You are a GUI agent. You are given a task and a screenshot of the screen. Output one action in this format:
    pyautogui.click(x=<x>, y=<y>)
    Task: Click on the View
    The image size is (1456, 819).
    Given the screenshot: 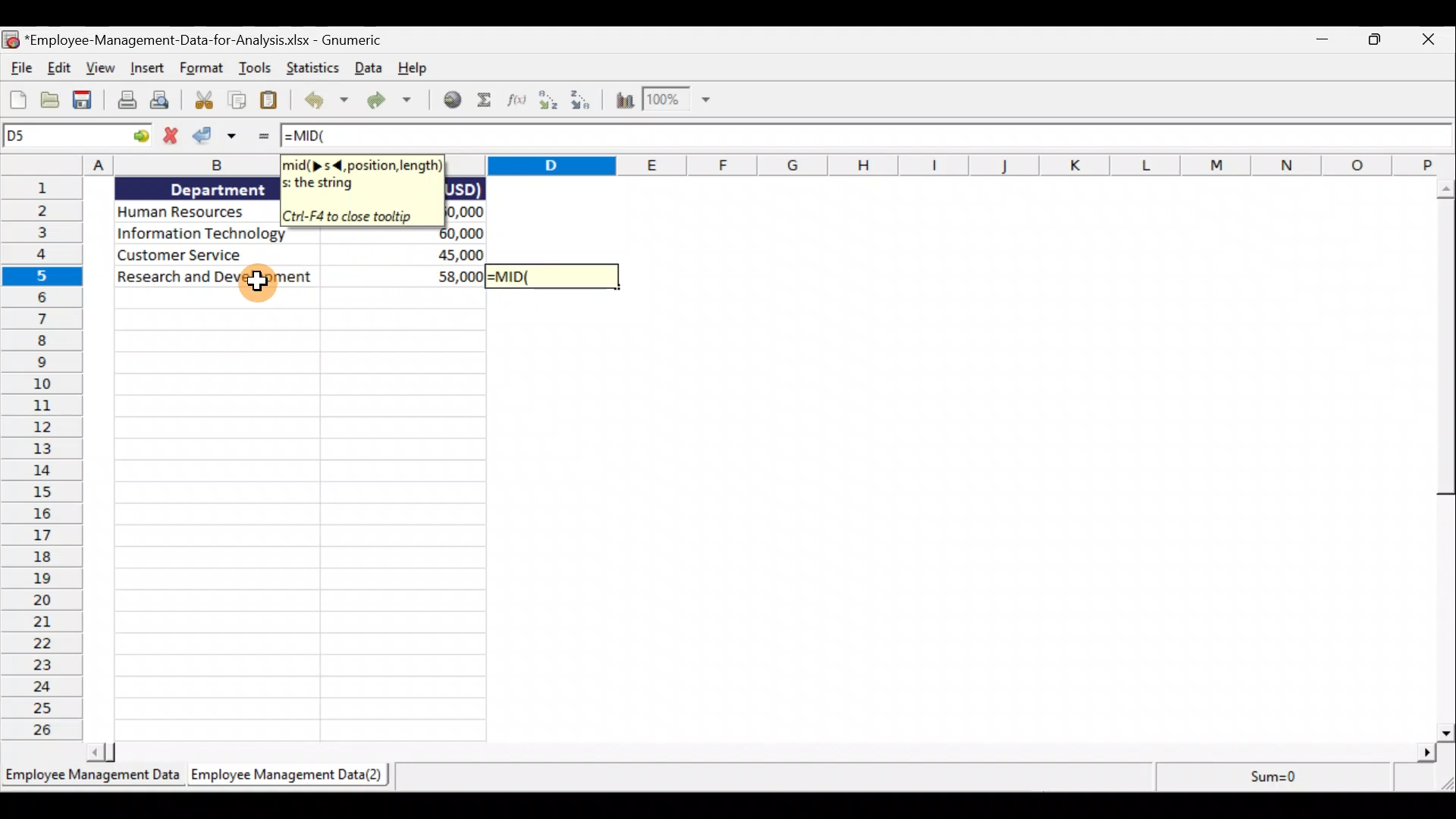 What is the action you would take?
    pyautogui.click(x=102, y=69)
    